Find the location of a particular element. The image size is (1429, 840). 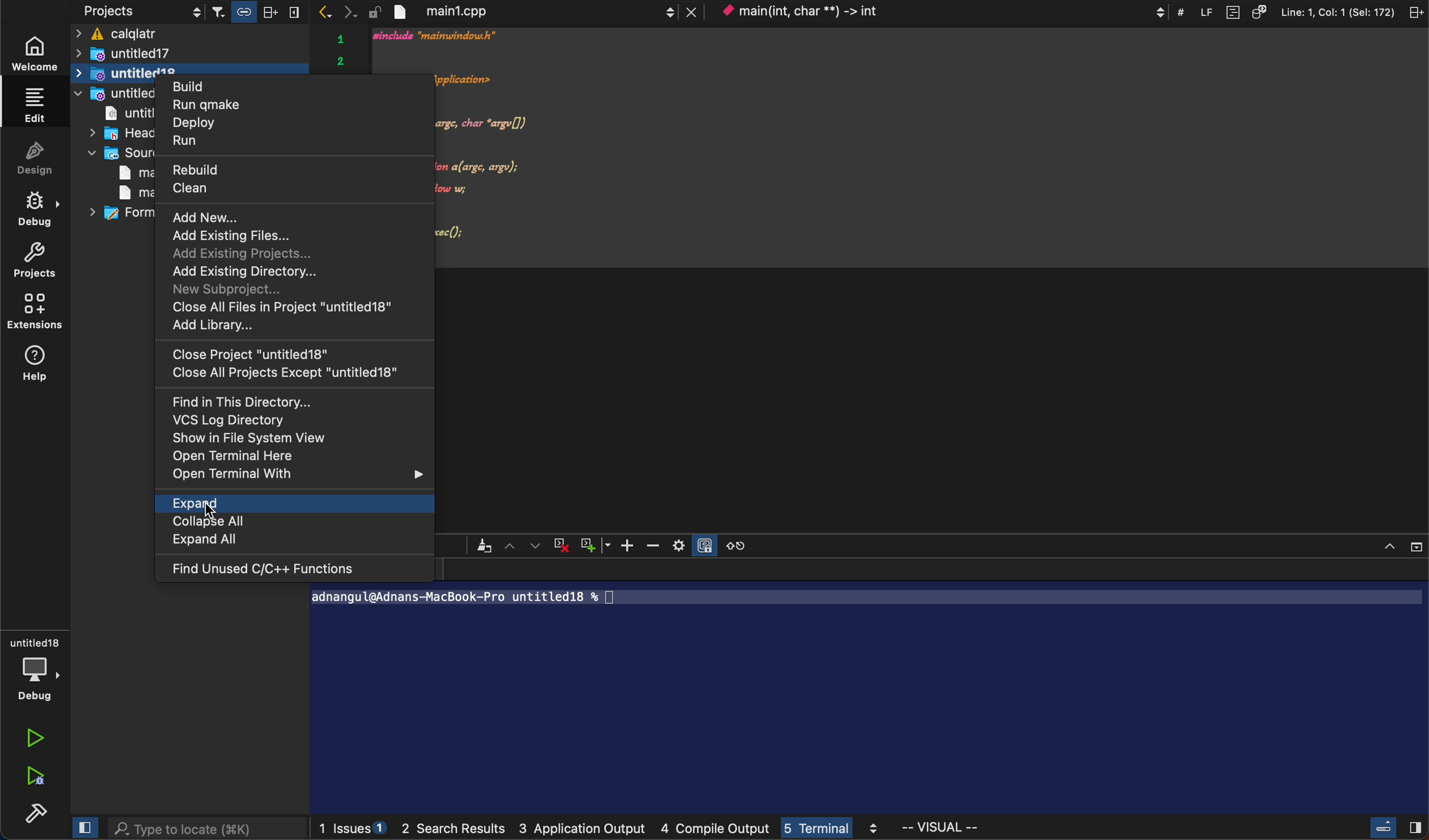

 is located at coordinates (708, 543).